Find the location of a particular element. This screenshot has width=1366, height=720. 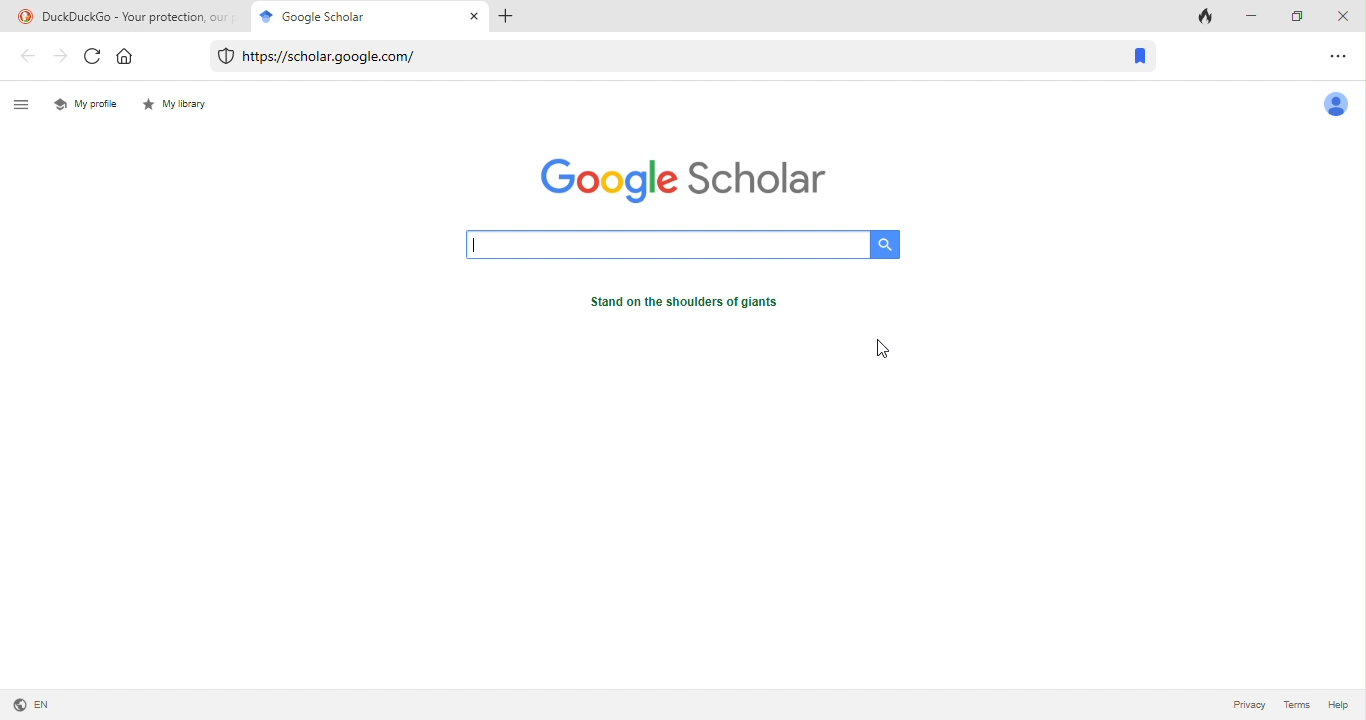

close is located at coordinates (473, 18).